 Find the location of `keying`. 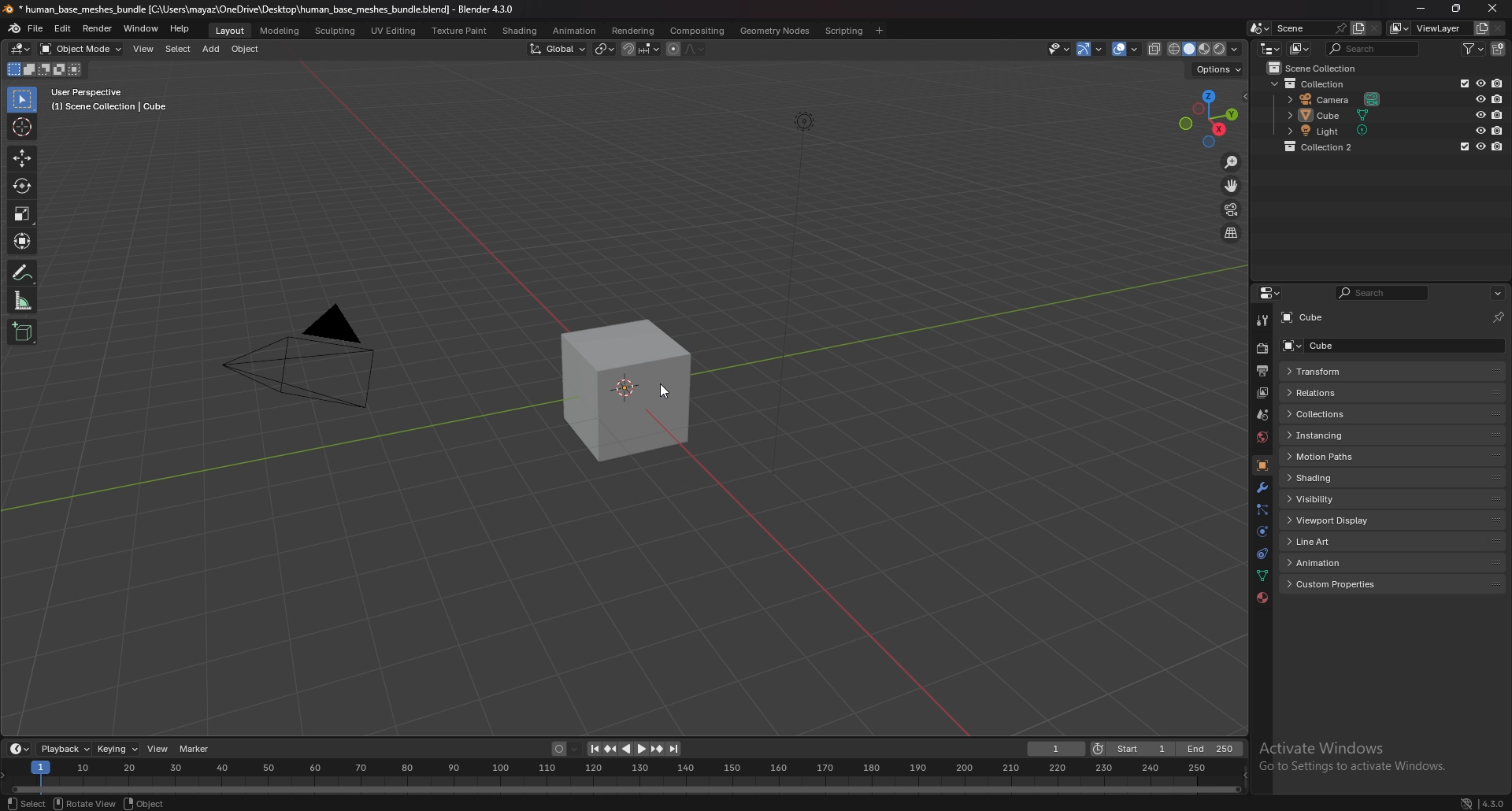

keying is located at coordinates (120, 749).